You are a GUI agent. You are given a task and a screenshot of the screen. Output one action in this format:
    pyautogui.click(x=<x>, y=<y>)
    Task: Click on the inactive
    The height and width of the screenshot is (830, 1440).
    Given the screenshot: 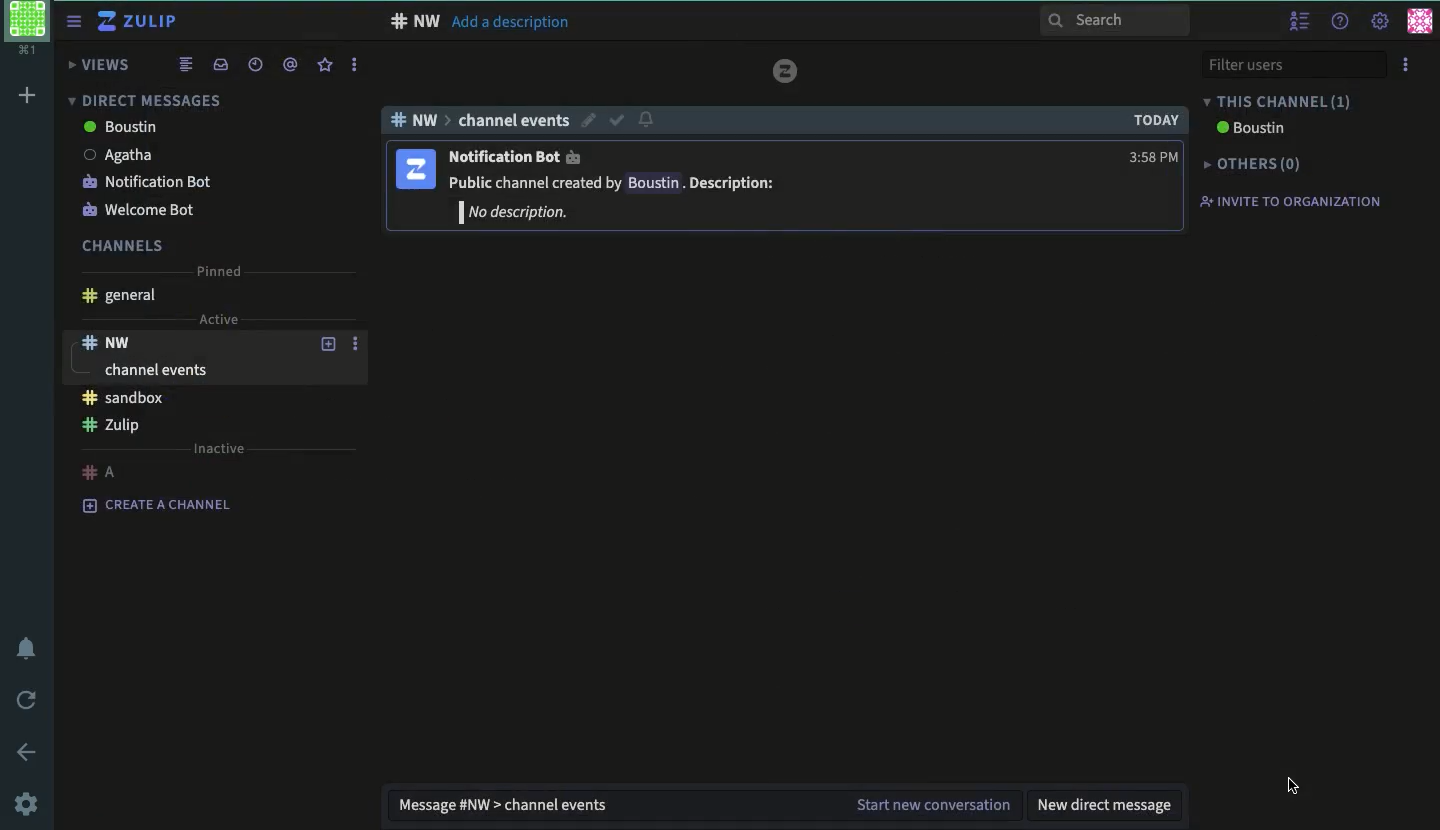 What is the action you would take?
    pyautogui.click(x=216, y=450)
    